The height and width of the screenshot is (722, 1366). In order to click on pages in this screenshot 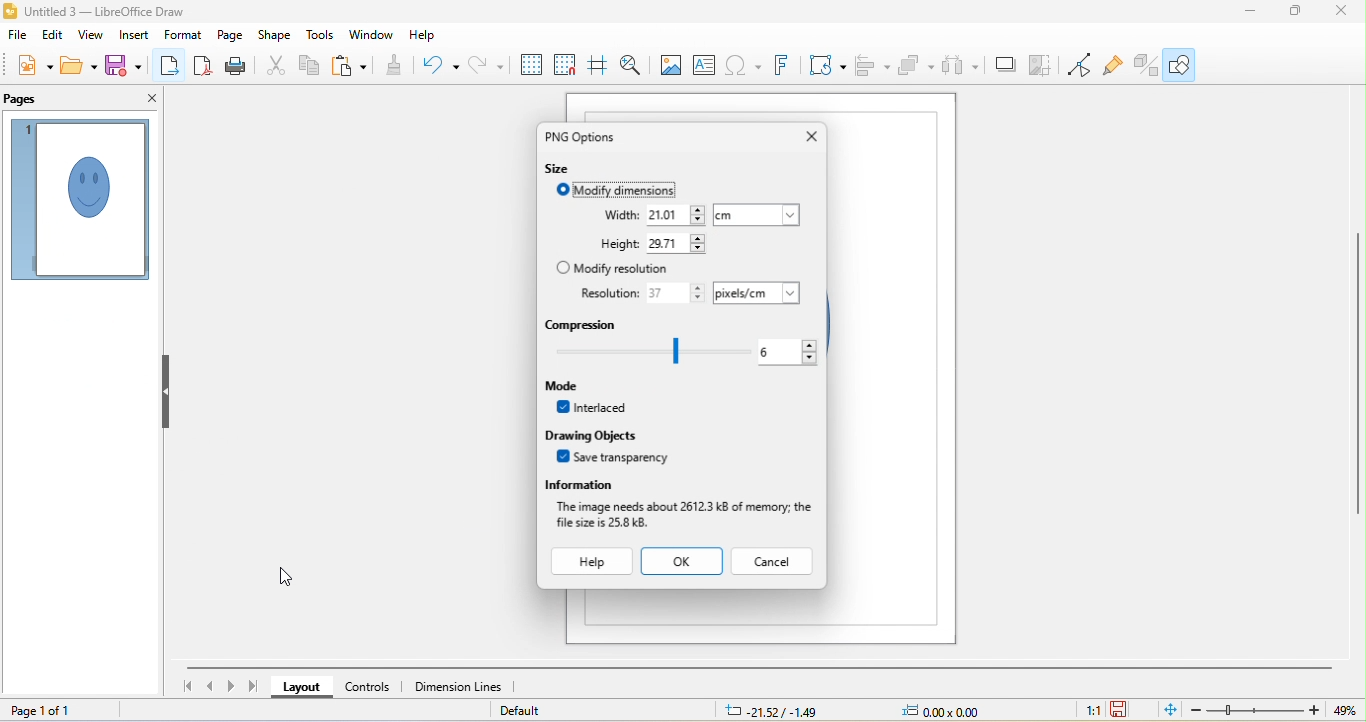, I will do `click(25, 99)`.